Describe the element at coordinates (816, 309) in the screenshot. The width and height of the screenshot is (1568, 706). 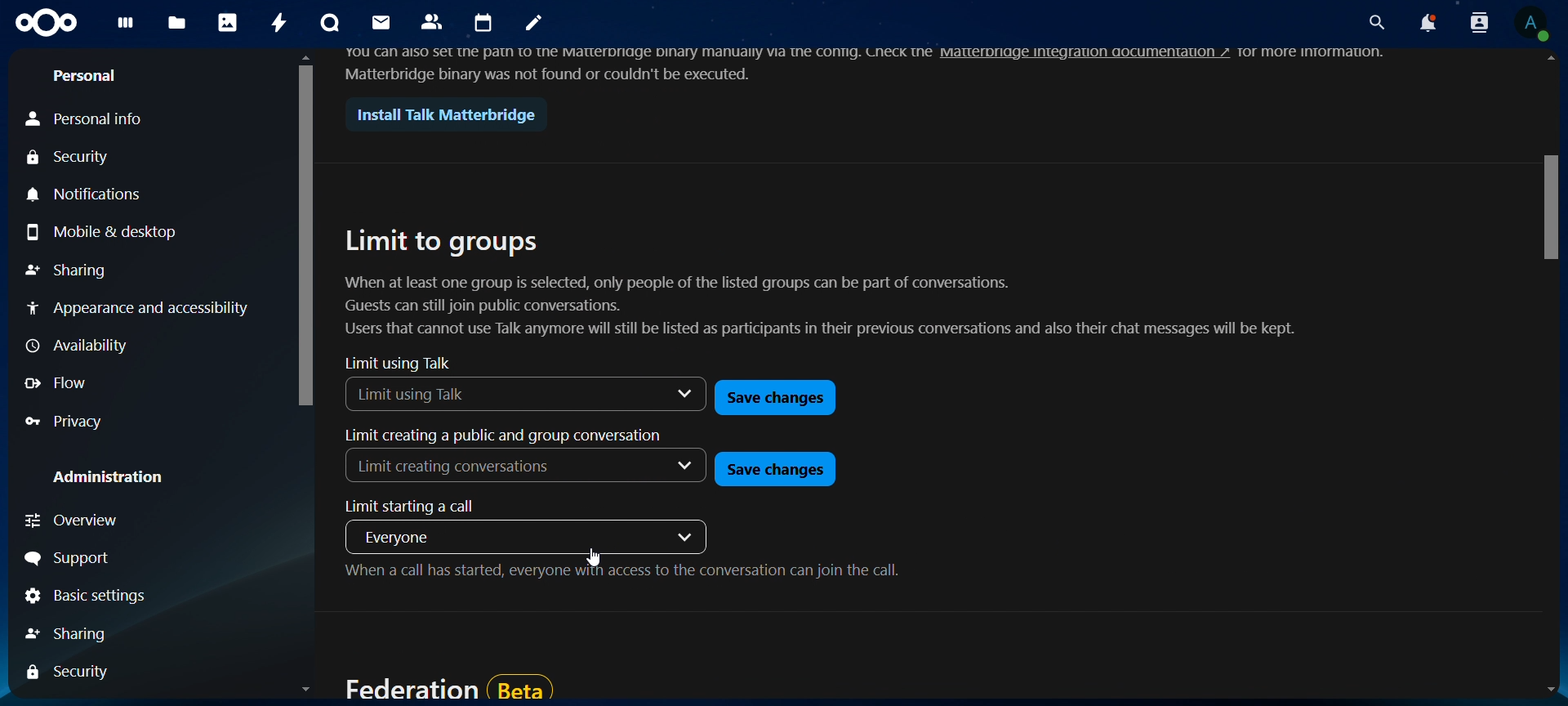
I see `When at least one group is selected, only people of the listed groups can be part of conversations.
Guests can still join public conversations.
Users that cannot use Talk anymore will still be listed as participants in their previous conversations and also their chat messages will be kept.` at that location.